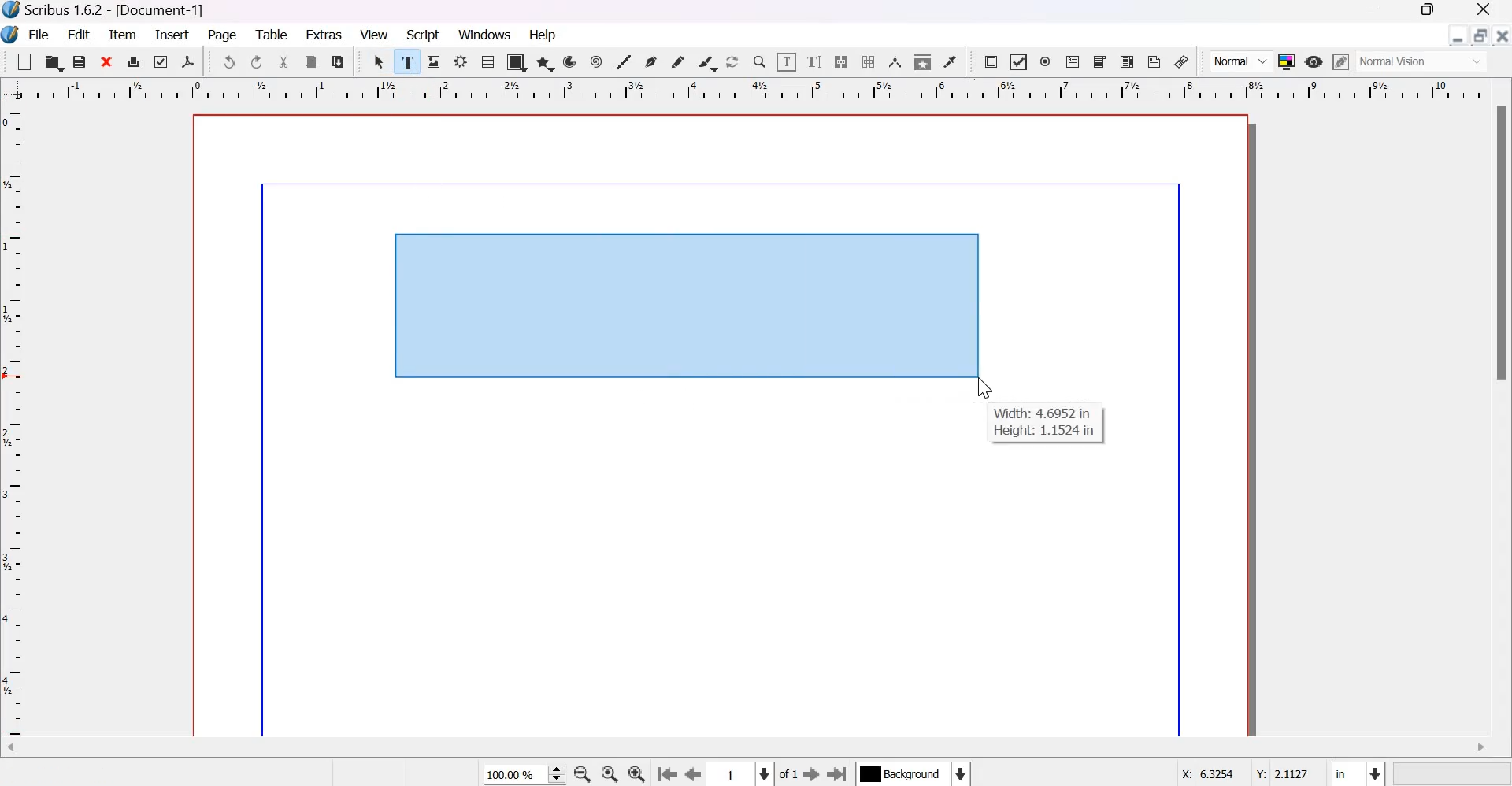 The image size is (1512, 786). I want to click on Scroll right, so click(1480, 748).